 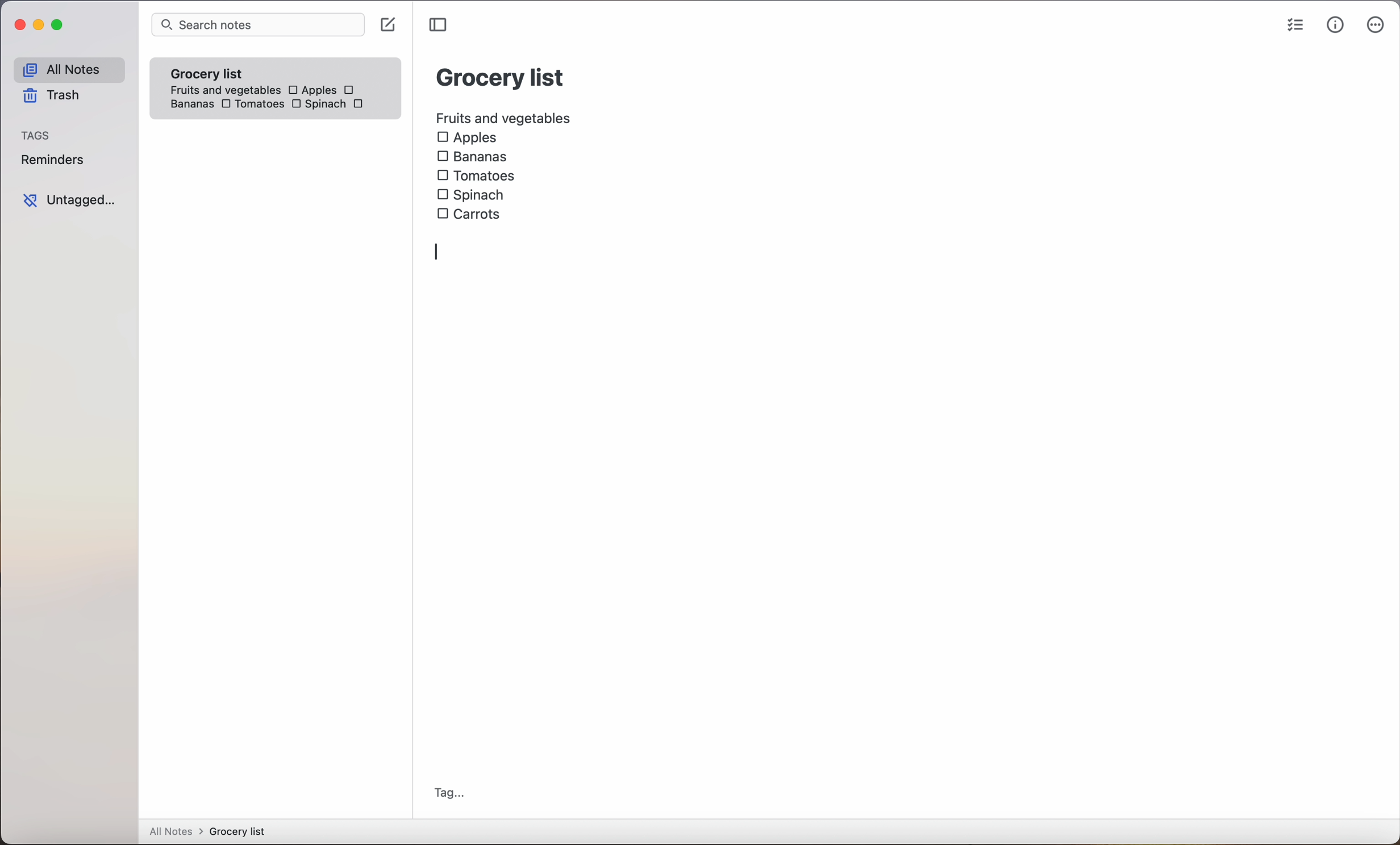 What do you see at coordinates (501, 76) in the screenshot?
I see `grocery list` at bounding box center [501, 76].